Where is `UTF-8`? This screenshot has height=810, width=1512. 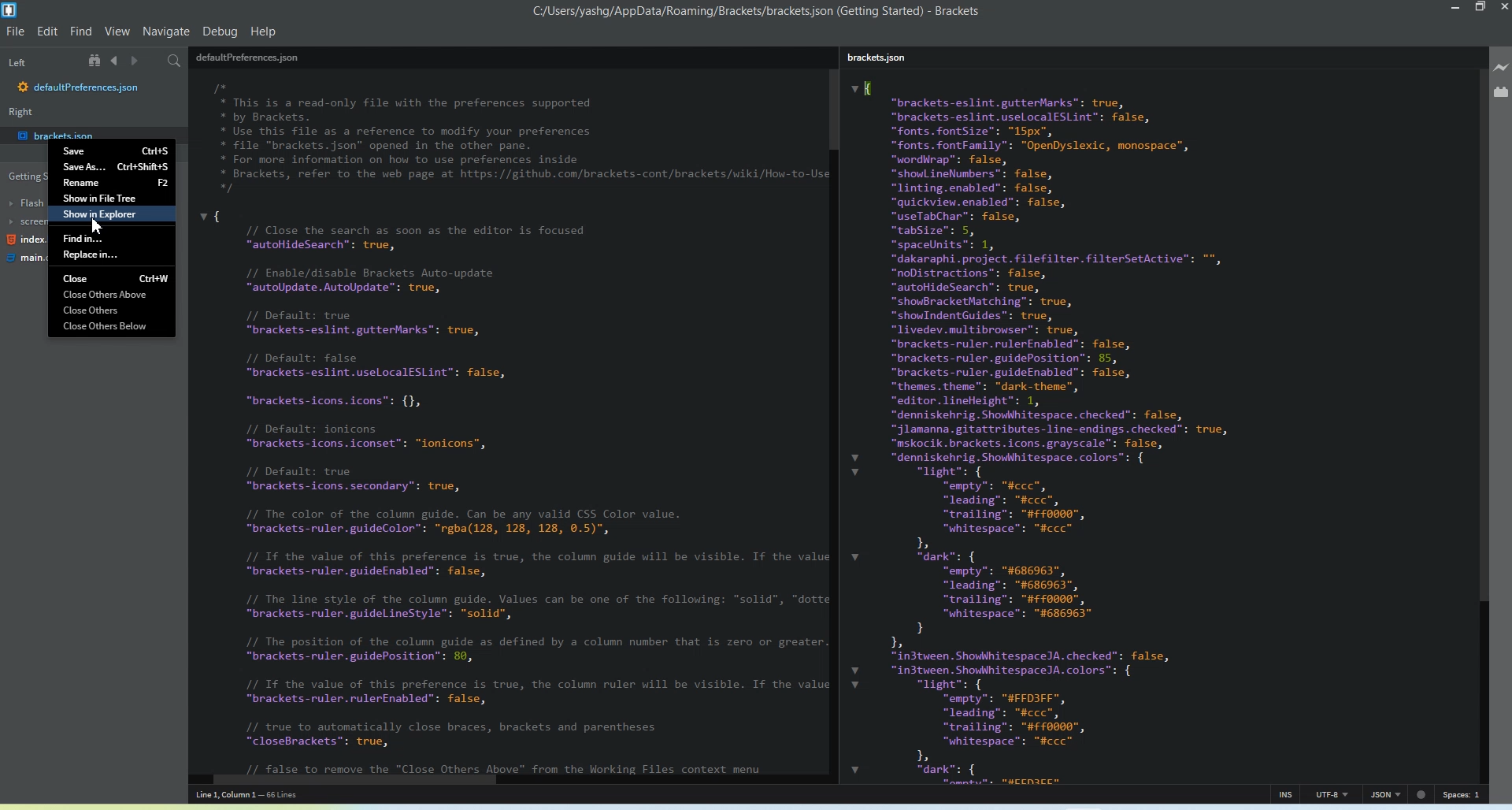
UTF-8 is located at coordinates (1334, 794).